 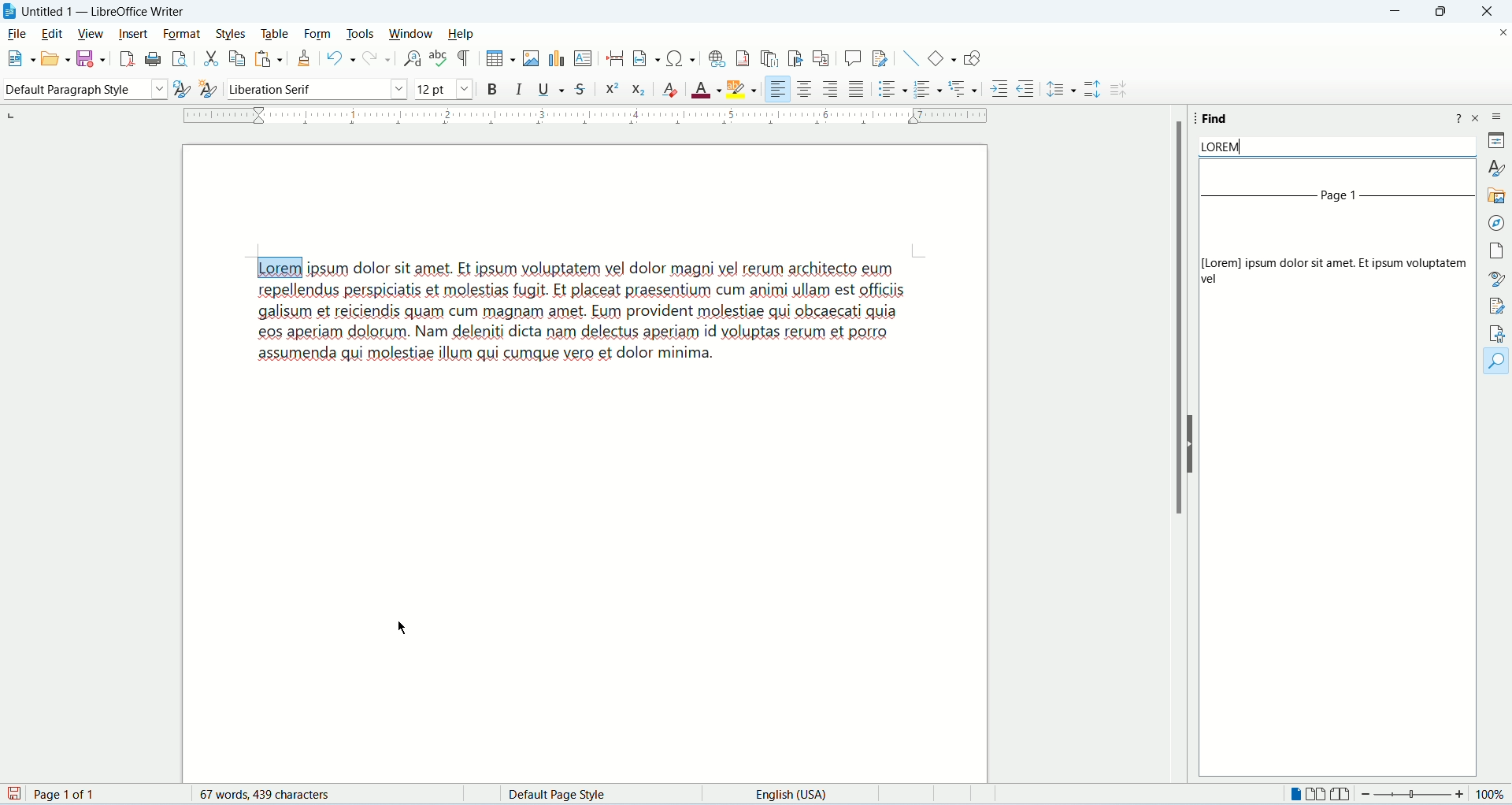 I want to click on navigator, so click(x=1495, y=224).